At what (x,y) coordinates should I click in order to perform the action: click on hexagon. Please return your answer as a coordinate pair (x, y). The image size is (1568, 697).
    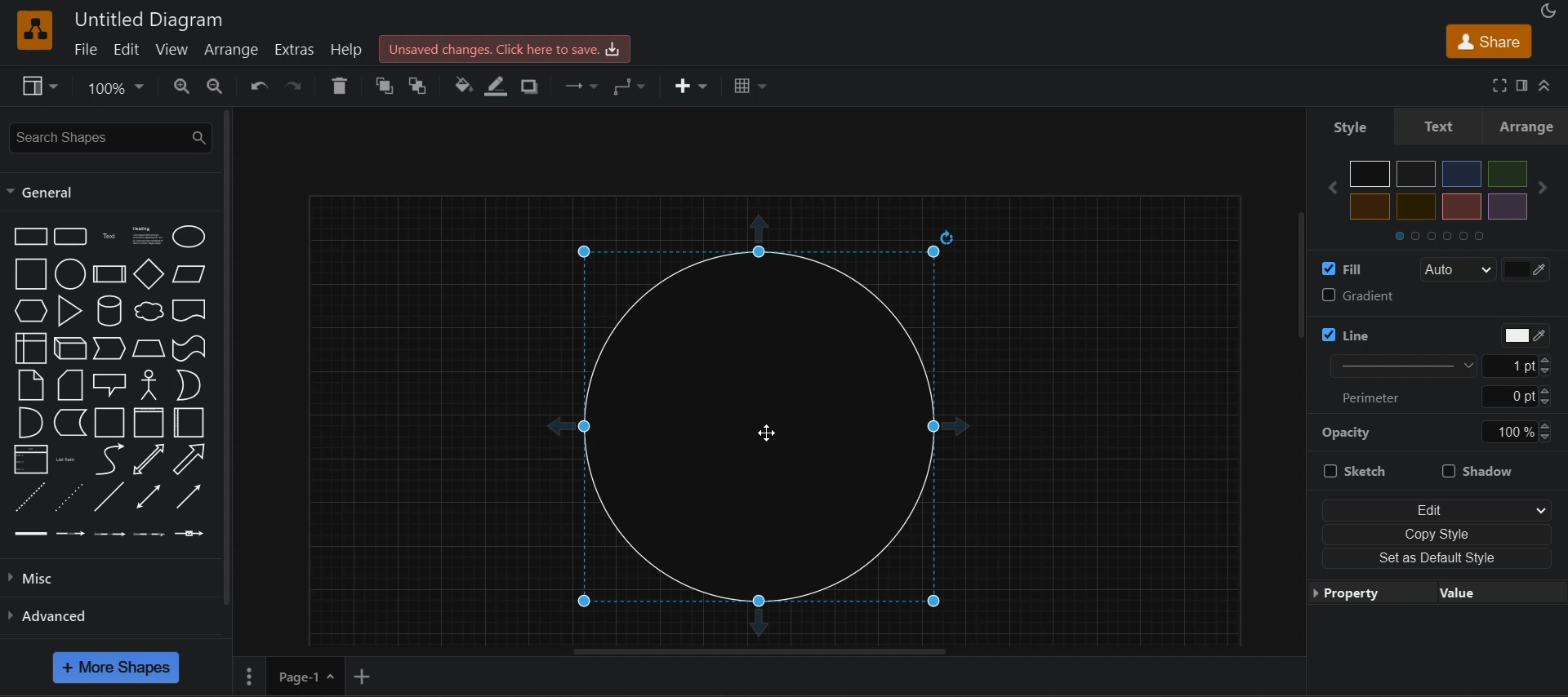
    Looking at the image, I should click on (28, 311).